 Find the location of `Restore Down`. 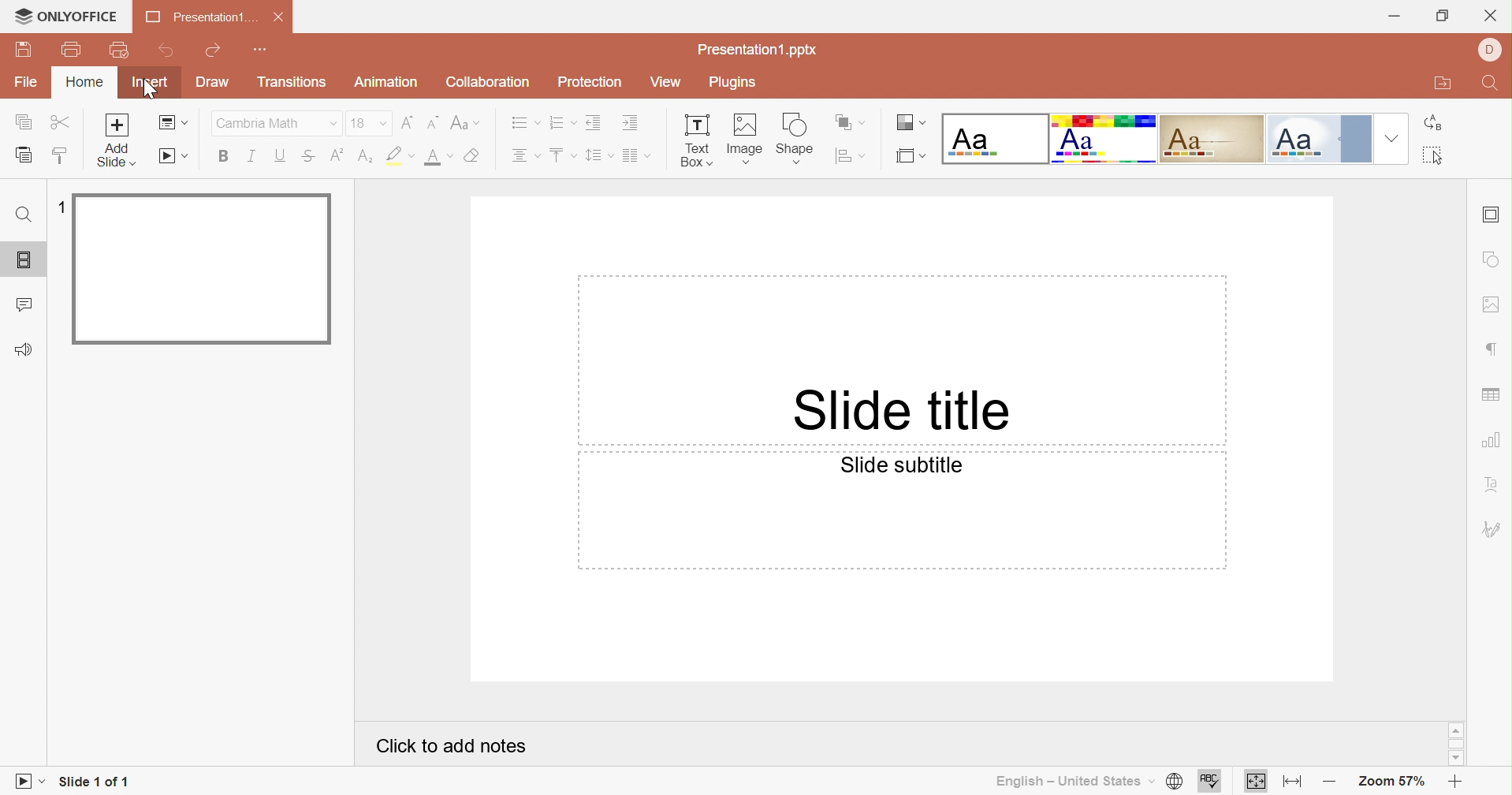

Restore Down is located at coordinates (1447, 15).